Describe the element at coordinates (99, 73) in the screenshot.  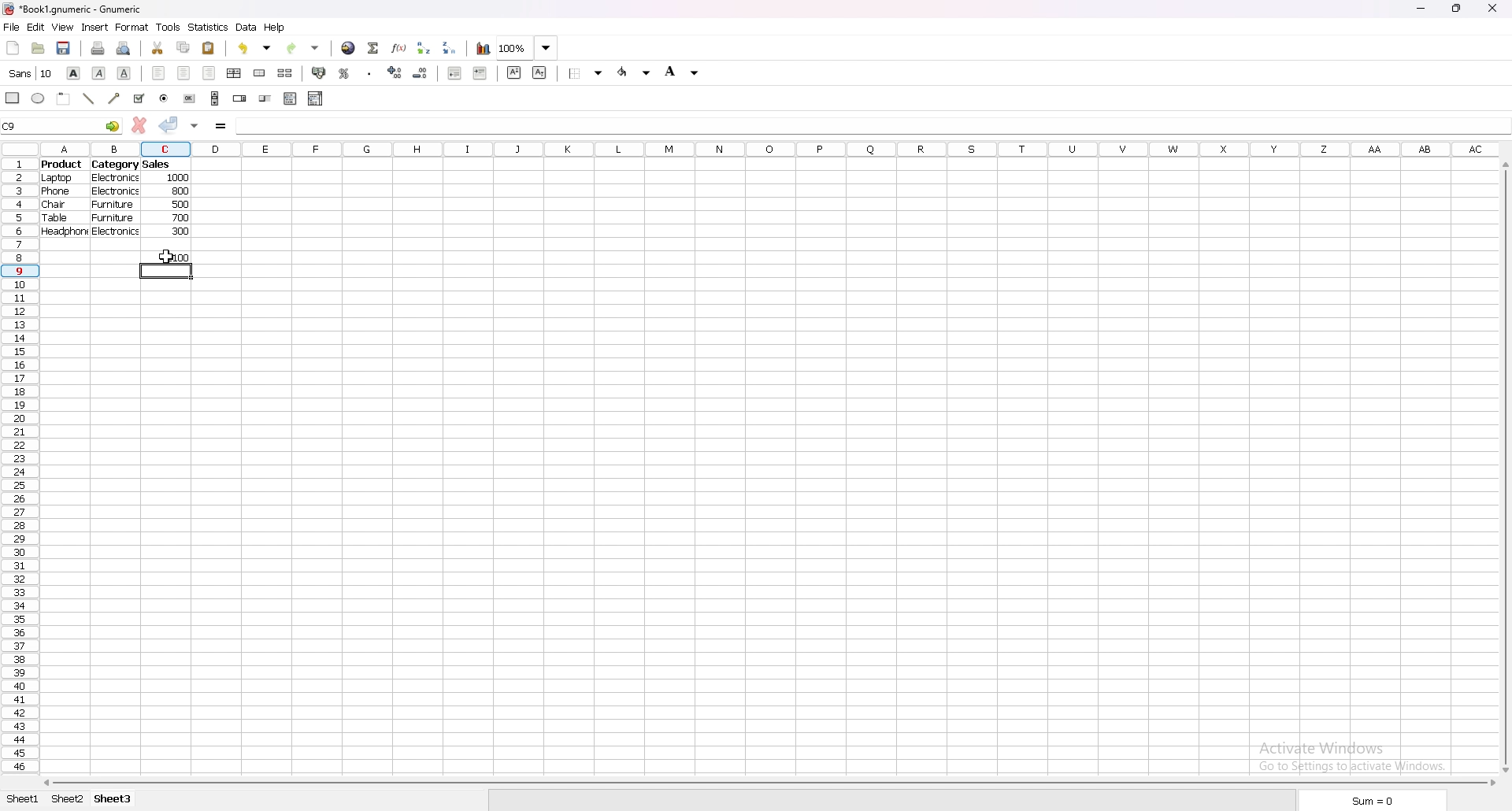
I see `italic` at that location.